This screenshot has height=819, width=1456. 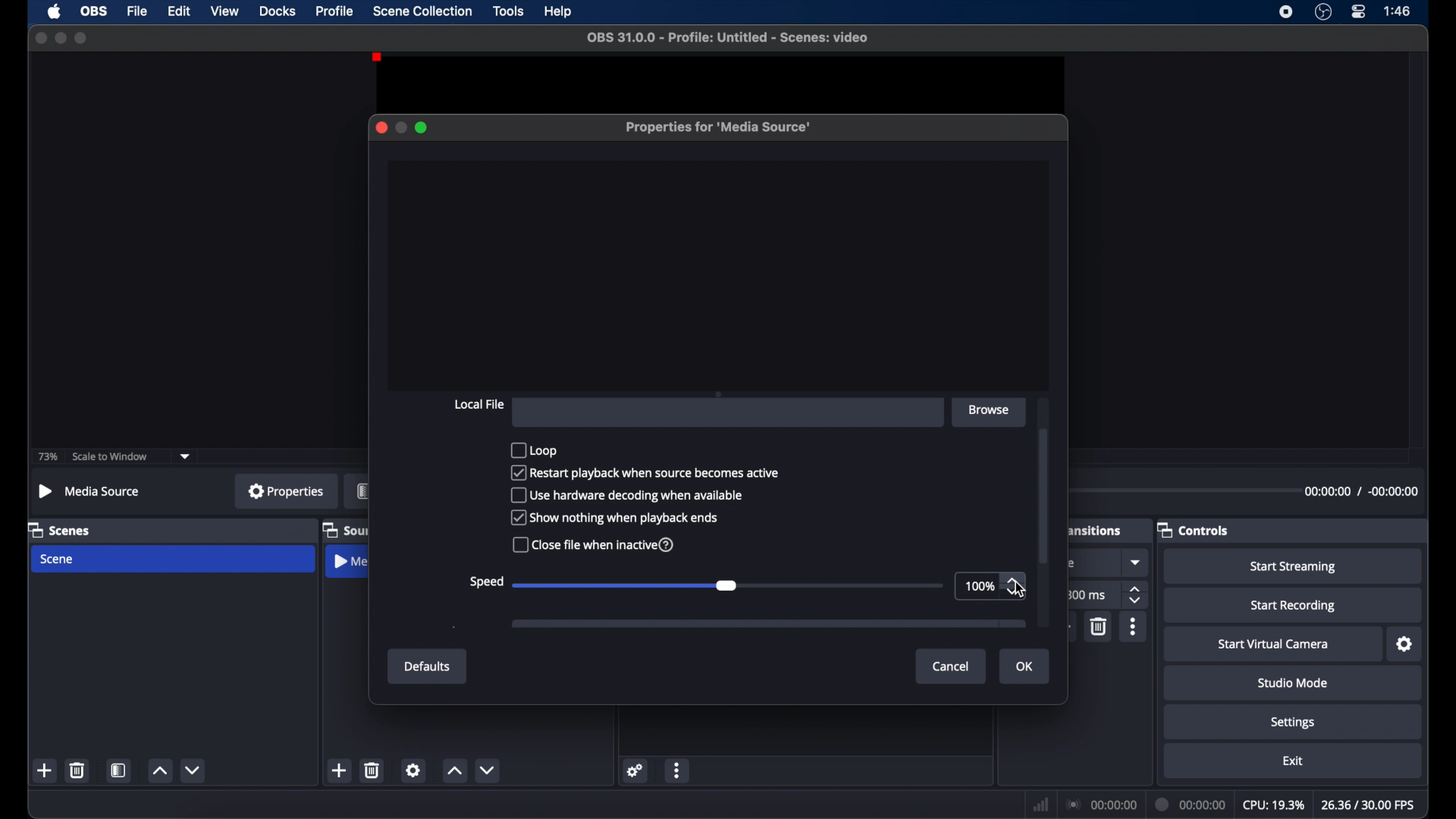 What do you see at coordinates (49, 457) in the screenshot?
I see `73%` at bounding box center [49, 457].